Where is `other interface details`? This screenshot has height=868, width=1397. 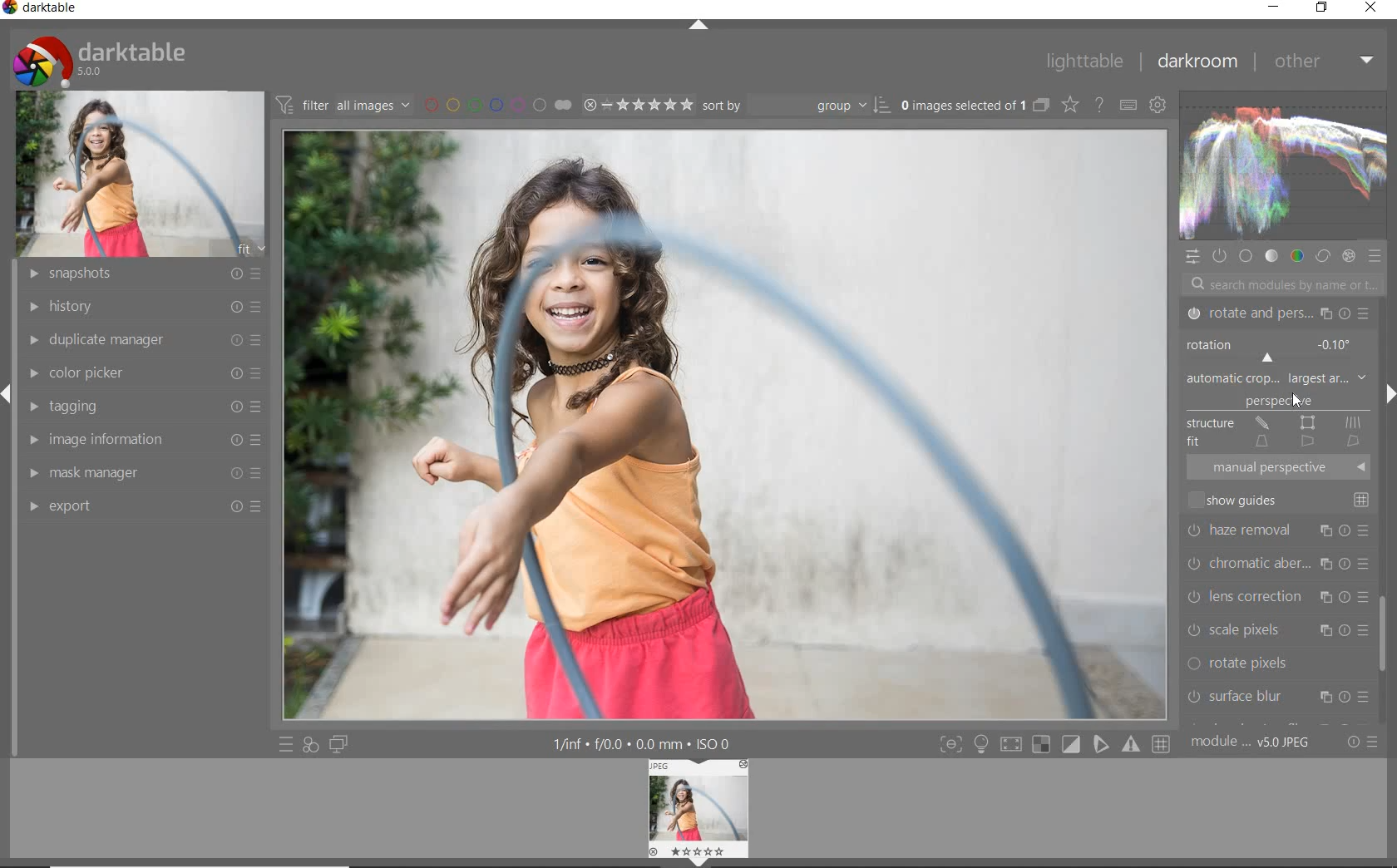 other interface details is located at coordinates (638, 744).